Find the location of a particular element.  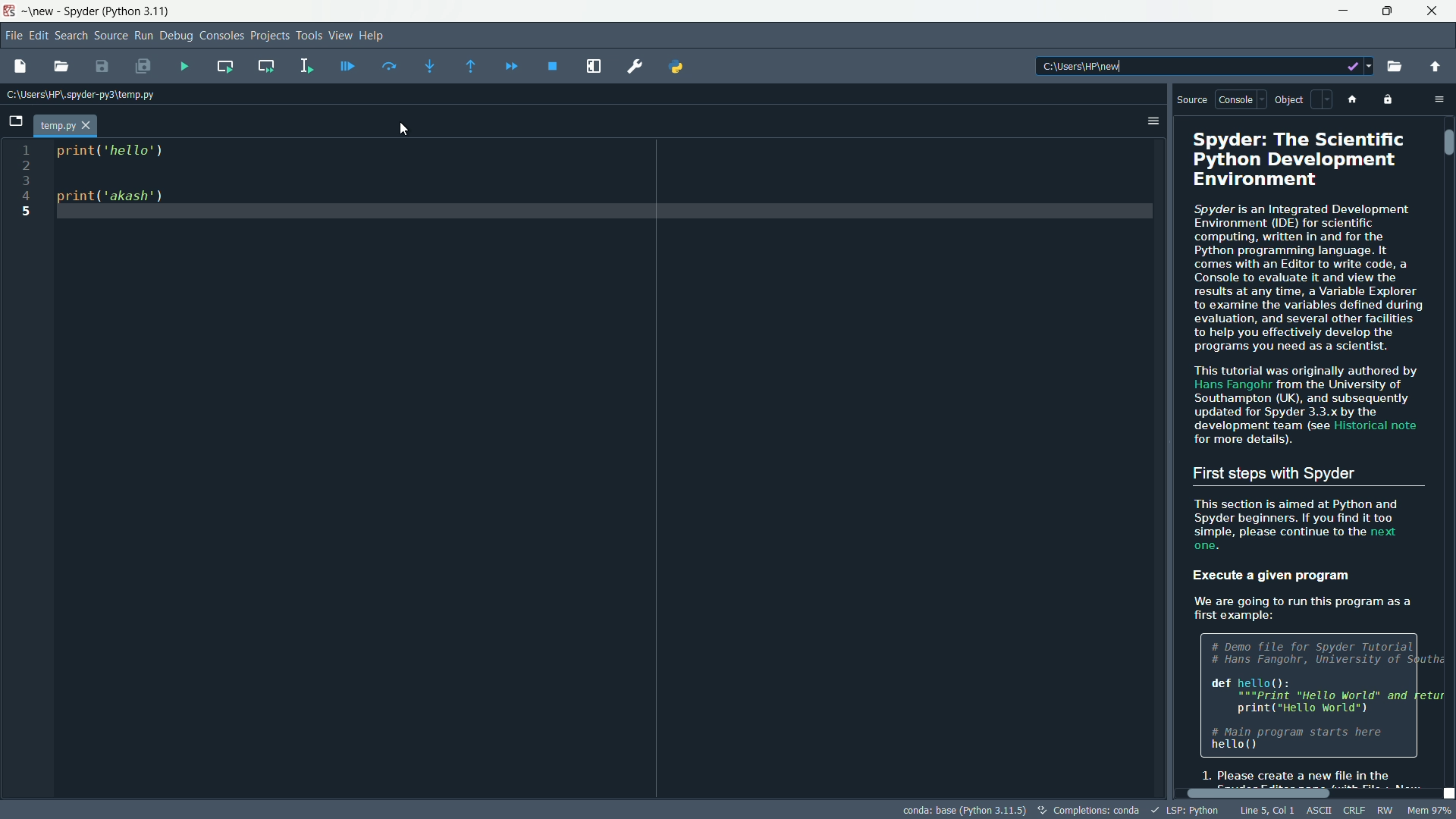

browse tabs is located at coordinates (15, 122).